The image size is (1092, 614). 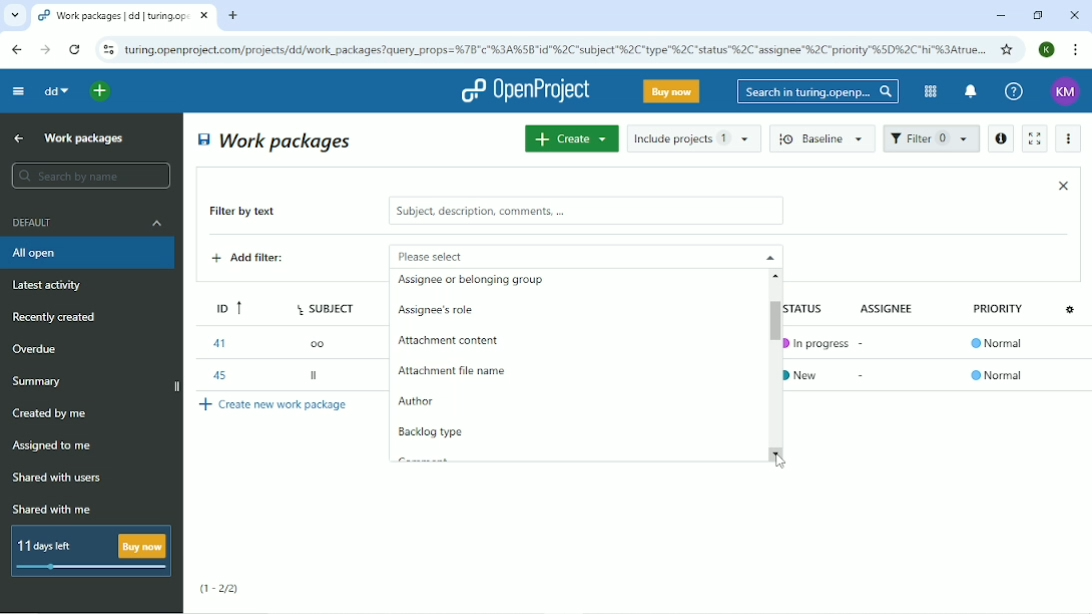 What do you see at coordinates (89, 222) in the screenshot?
I see `Default` at bounding box center [89, 222].